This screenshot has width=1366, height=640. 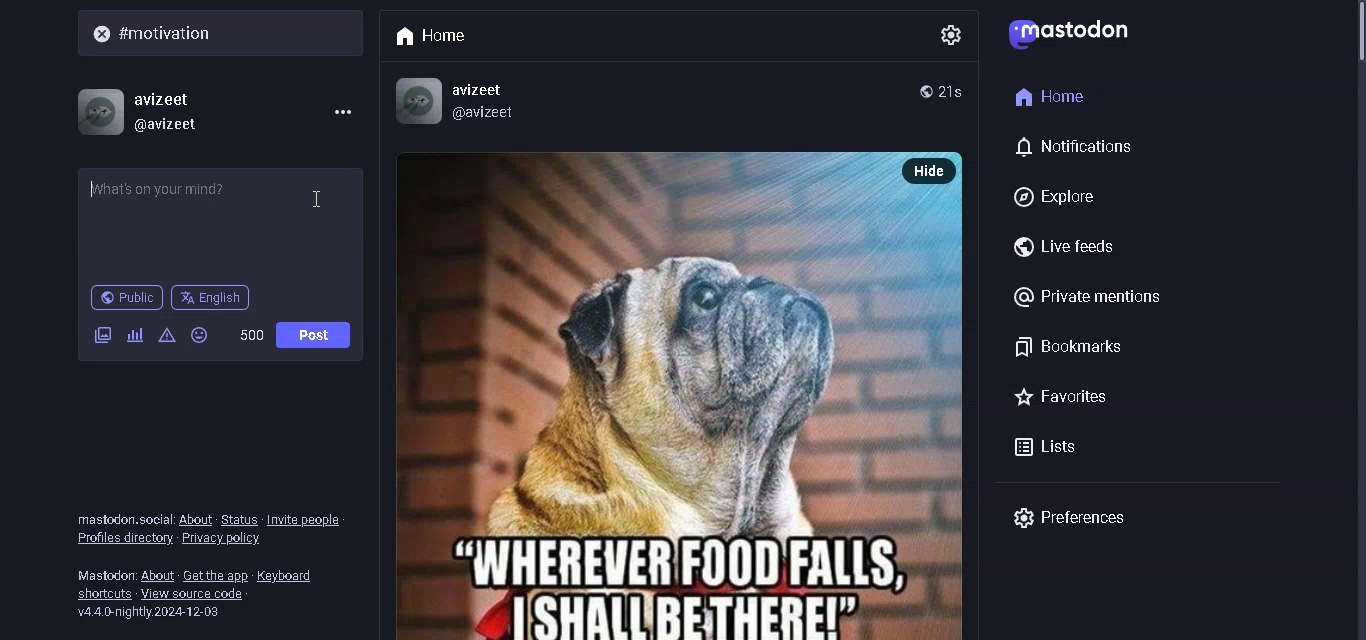 What do you see at coordinates (239, 518) in the screenshot?
I see `status` at bounding box center [239, 518].